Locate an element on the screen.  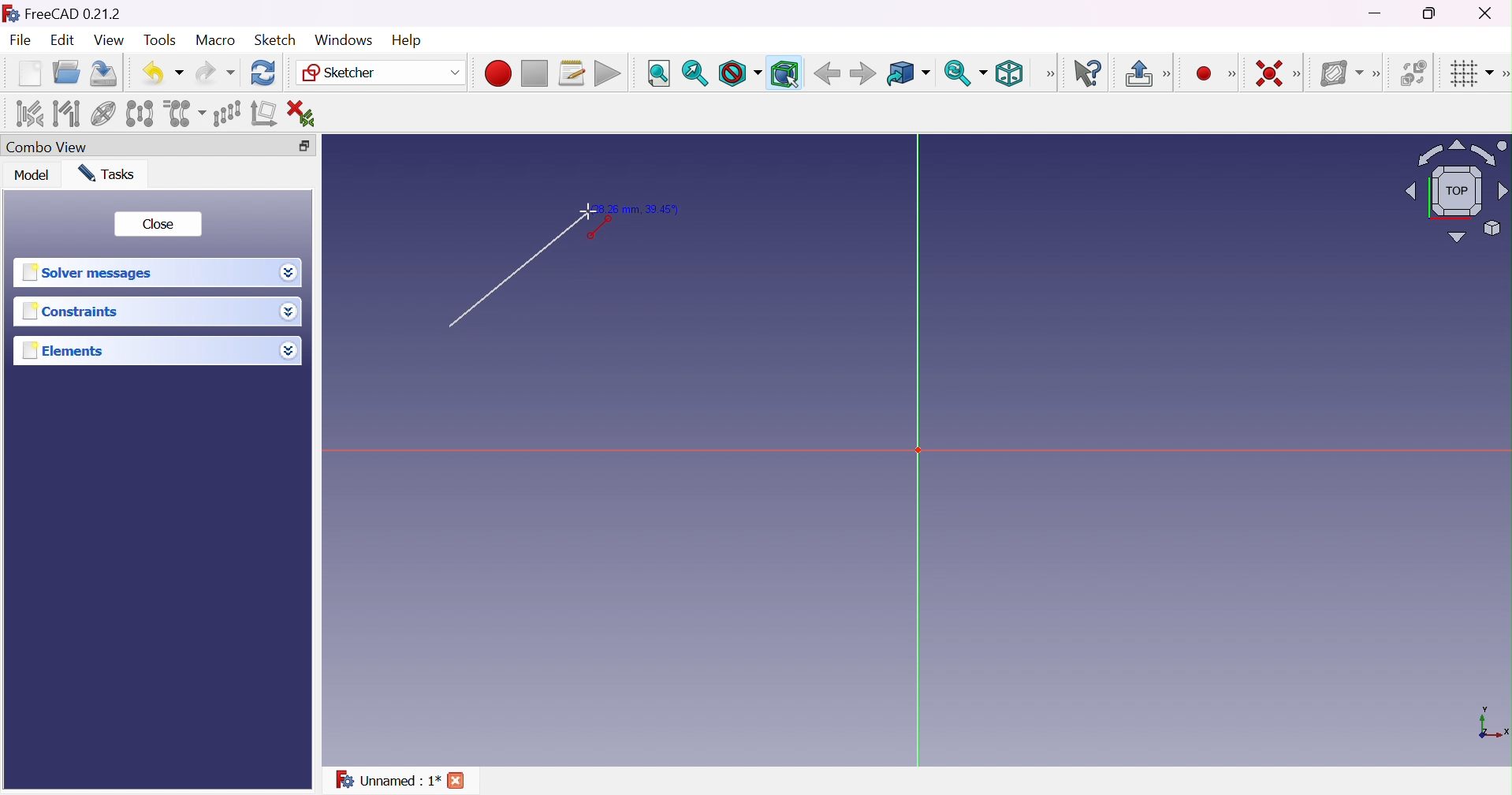
Fit all is located at coordinates (657, 73).